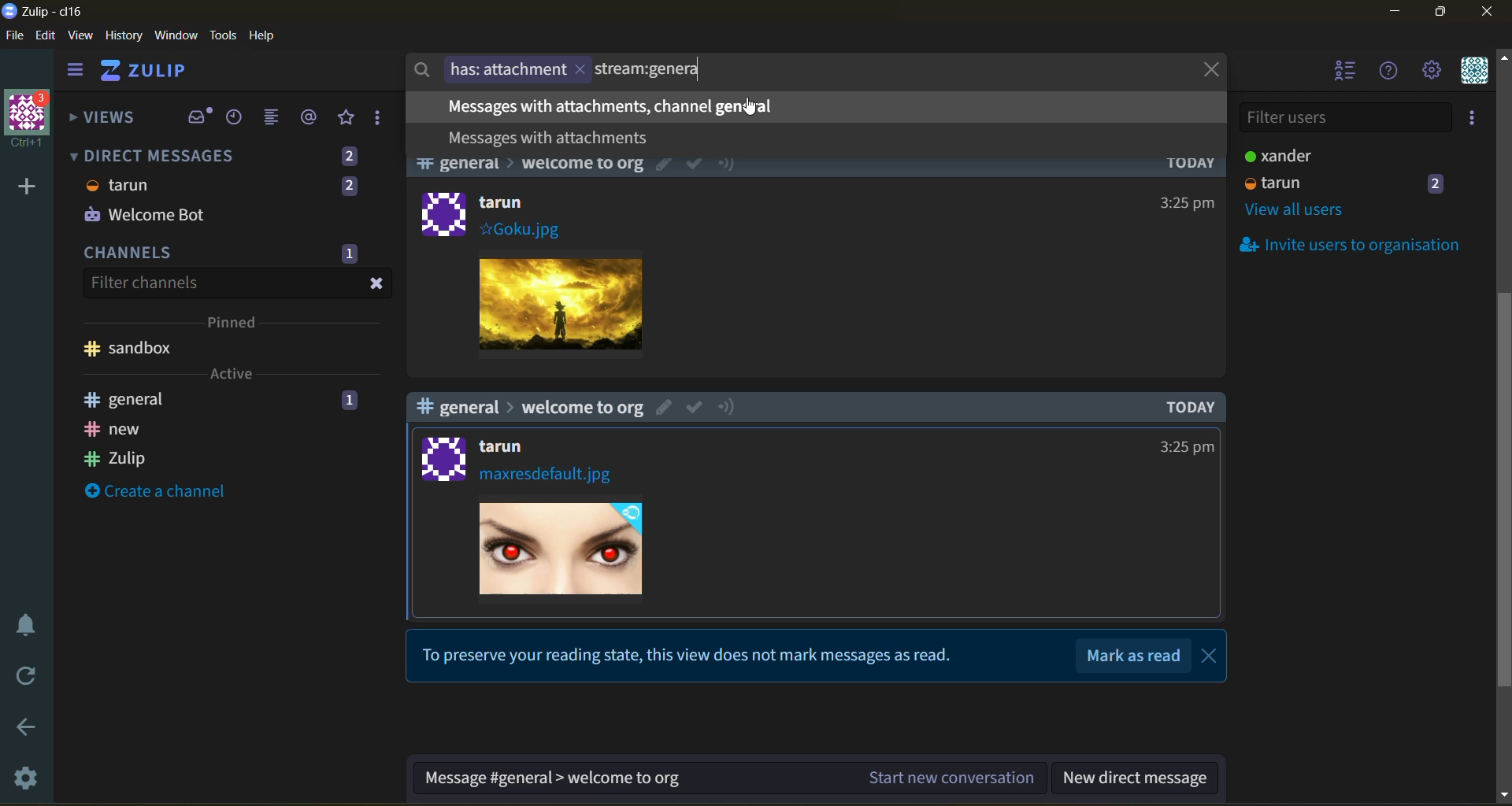  What do you see at coordinates (349, 253) in the screenshot?
I see `1` at bounding box center [349, 253].